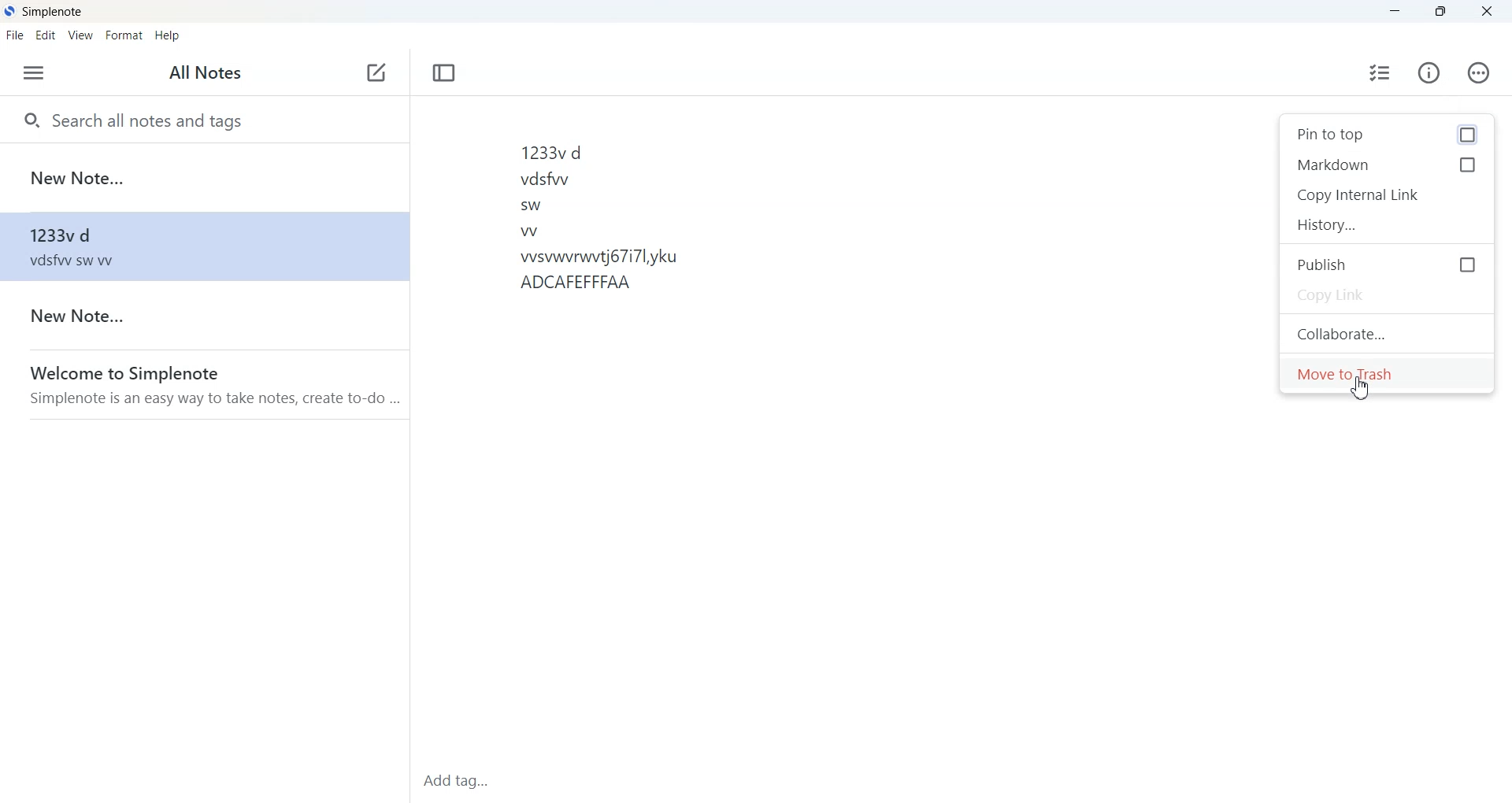  Describe the element at coordinates (1386, 298) in the screenshot. I see `Copy link` at that location.